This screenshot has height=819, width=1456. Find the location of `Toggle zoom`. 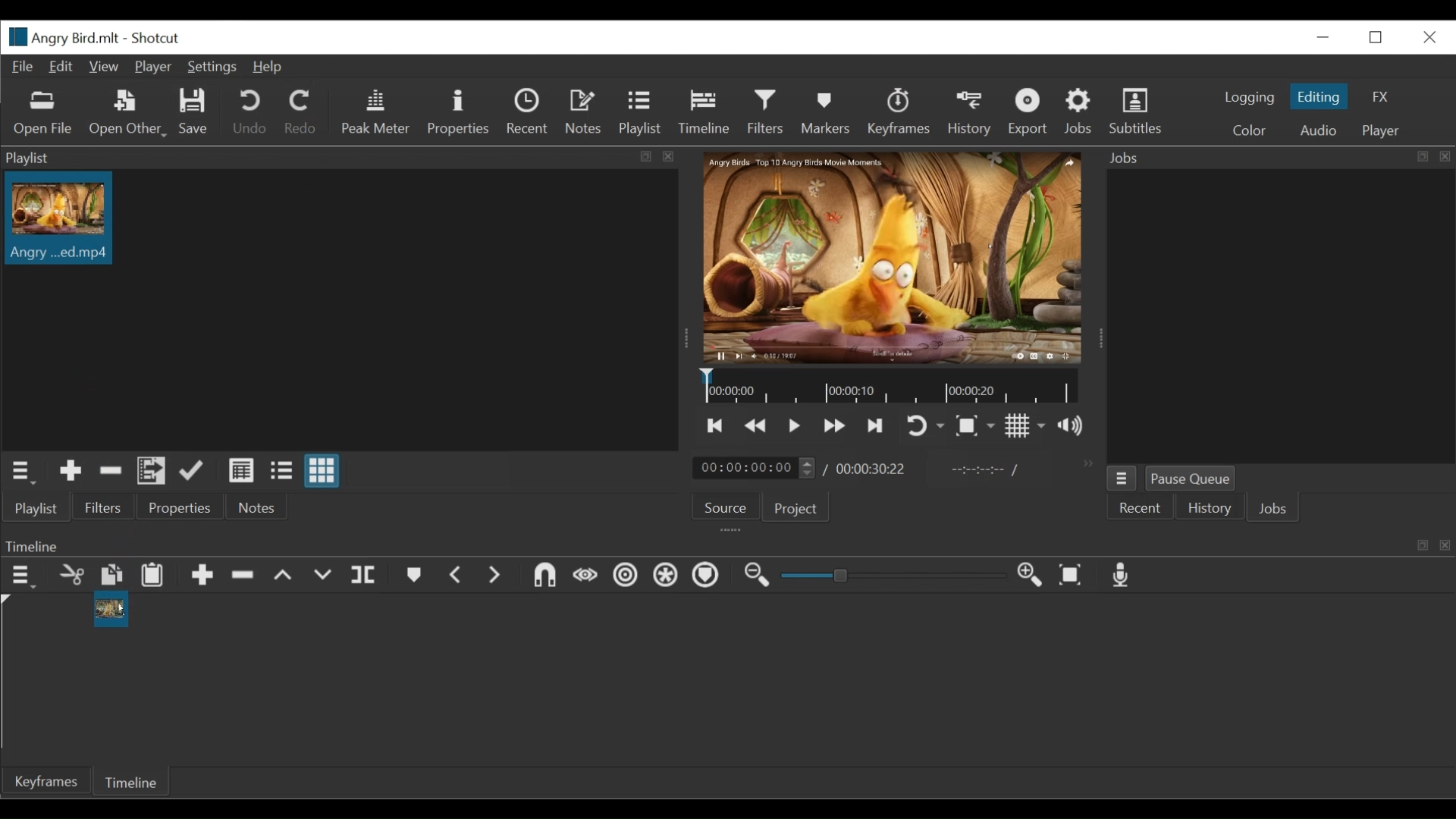

Toggle zoom is located at coordinates (974, 426).